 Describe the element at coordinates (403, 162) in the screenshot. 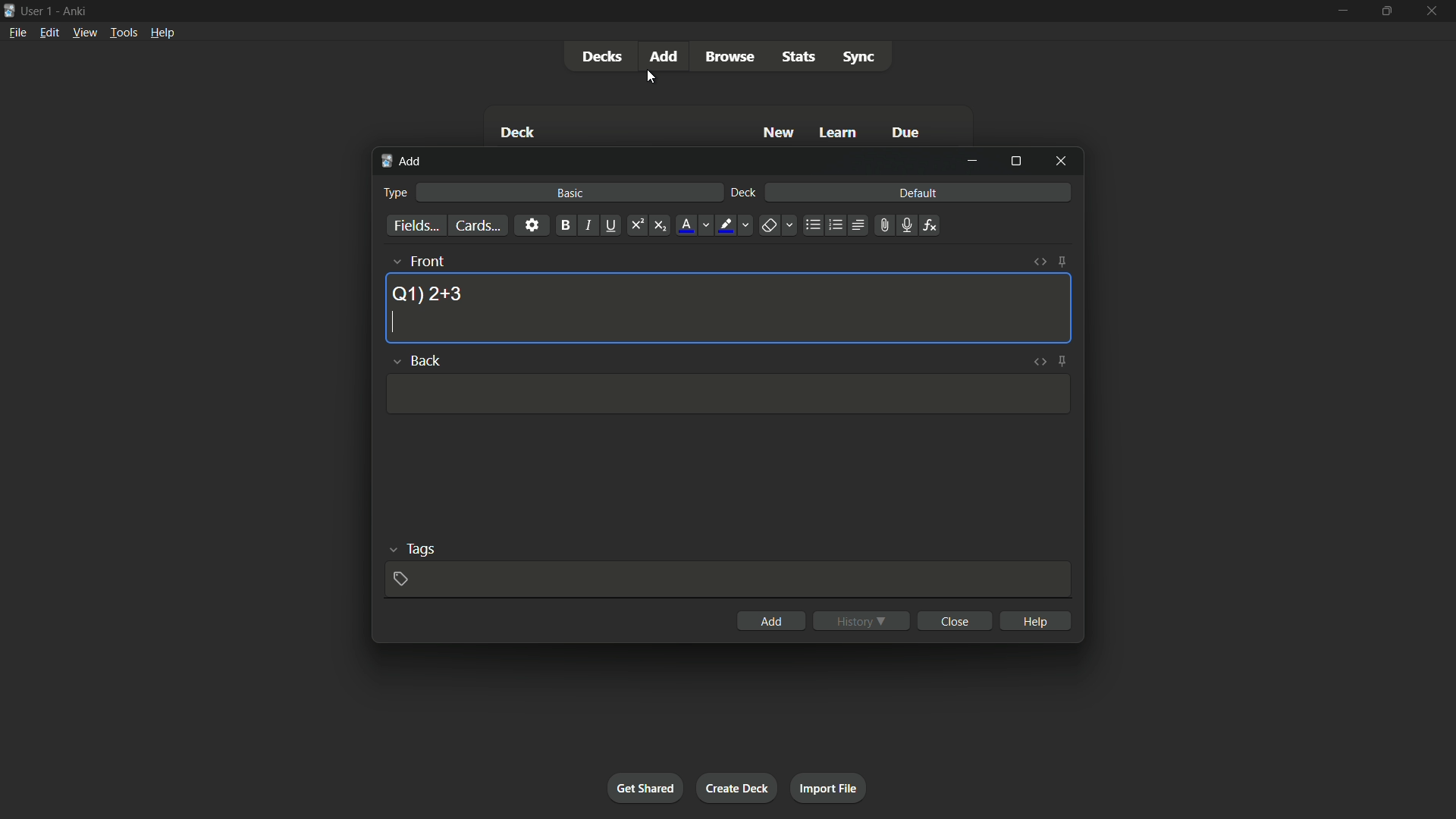

I see `add` at that location.